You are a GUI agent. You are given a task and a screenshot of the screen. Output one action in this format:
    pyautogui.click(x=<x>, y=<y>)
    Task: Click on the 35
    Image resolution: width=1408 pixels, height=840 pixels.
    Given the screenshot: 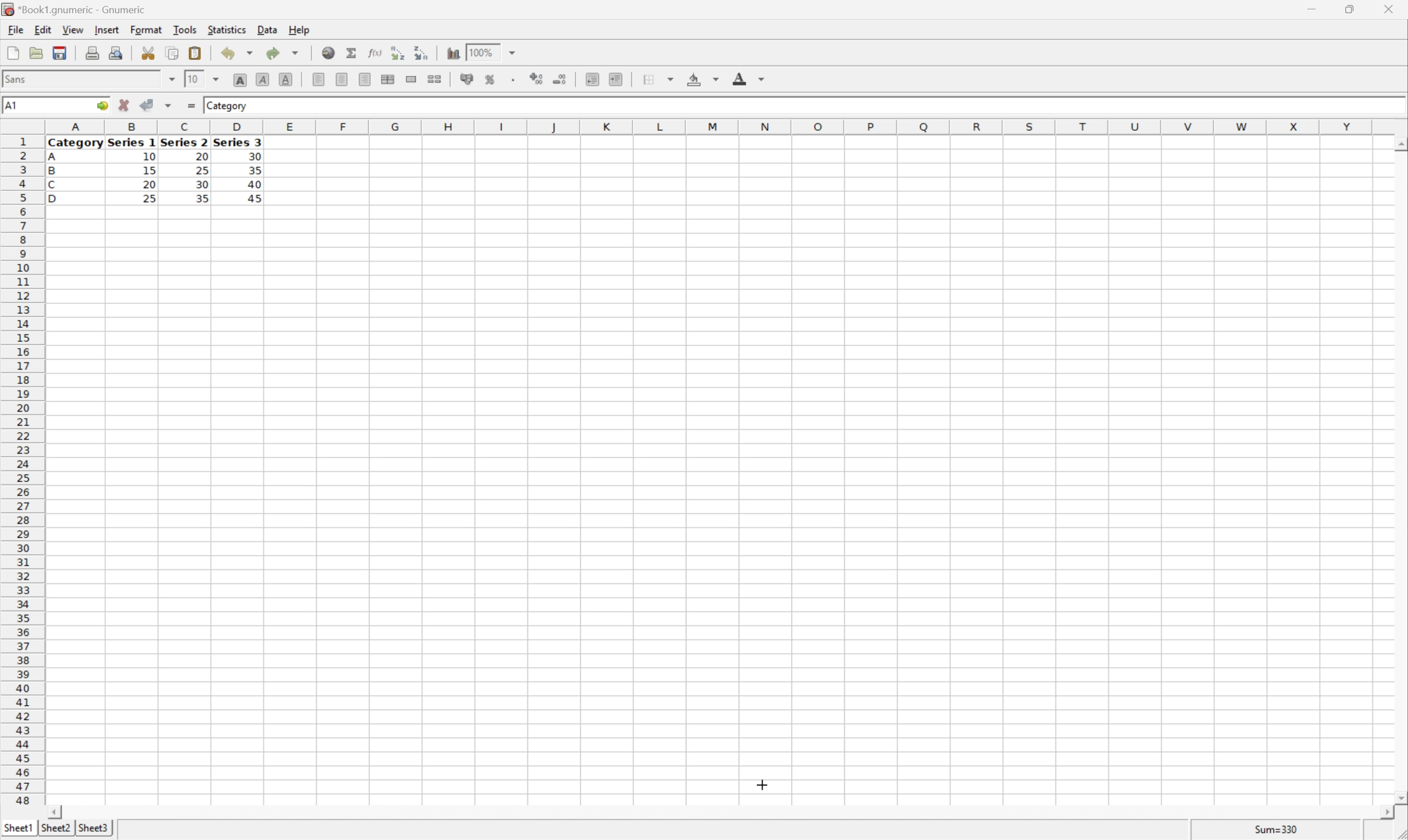 What is the action you would take?
    pyautogui.click(x=202, y=198)
    